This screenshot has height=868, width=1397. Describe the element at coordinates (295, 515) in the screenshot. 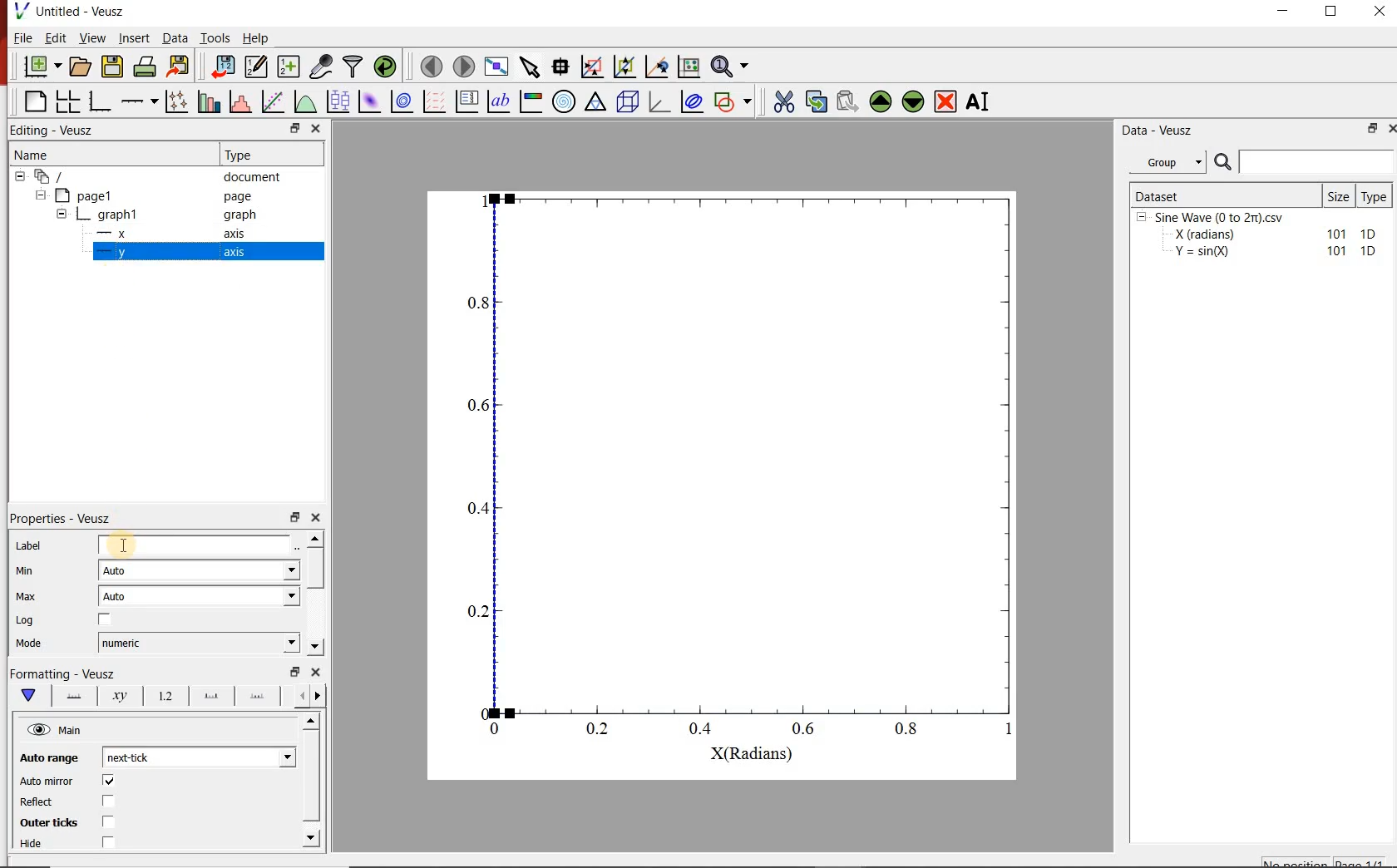

I see `Min/Max` at that location.